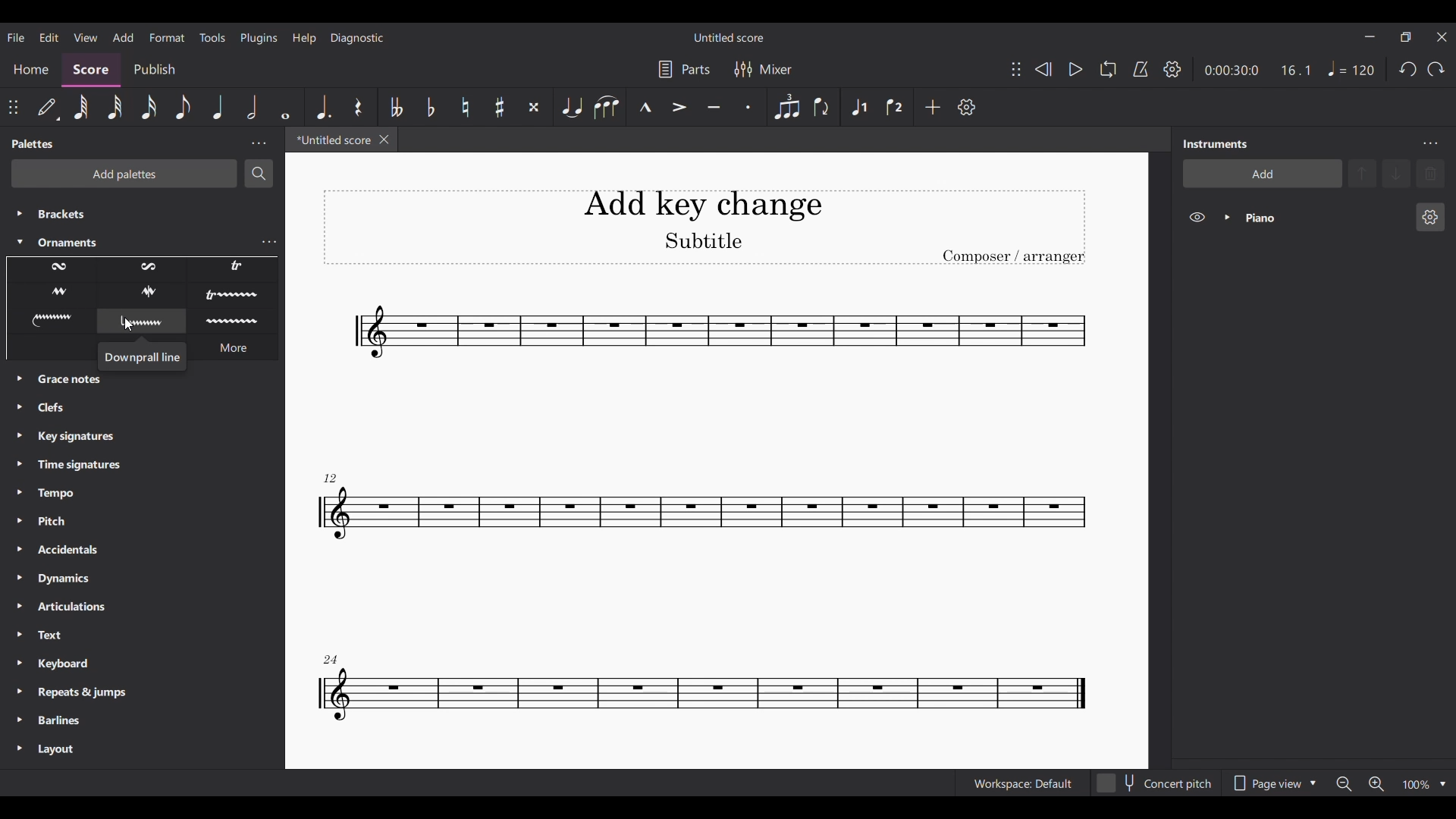 The height and width of the screenshot is (819, 1456). I want to click on Delete, so click(1430, 174).